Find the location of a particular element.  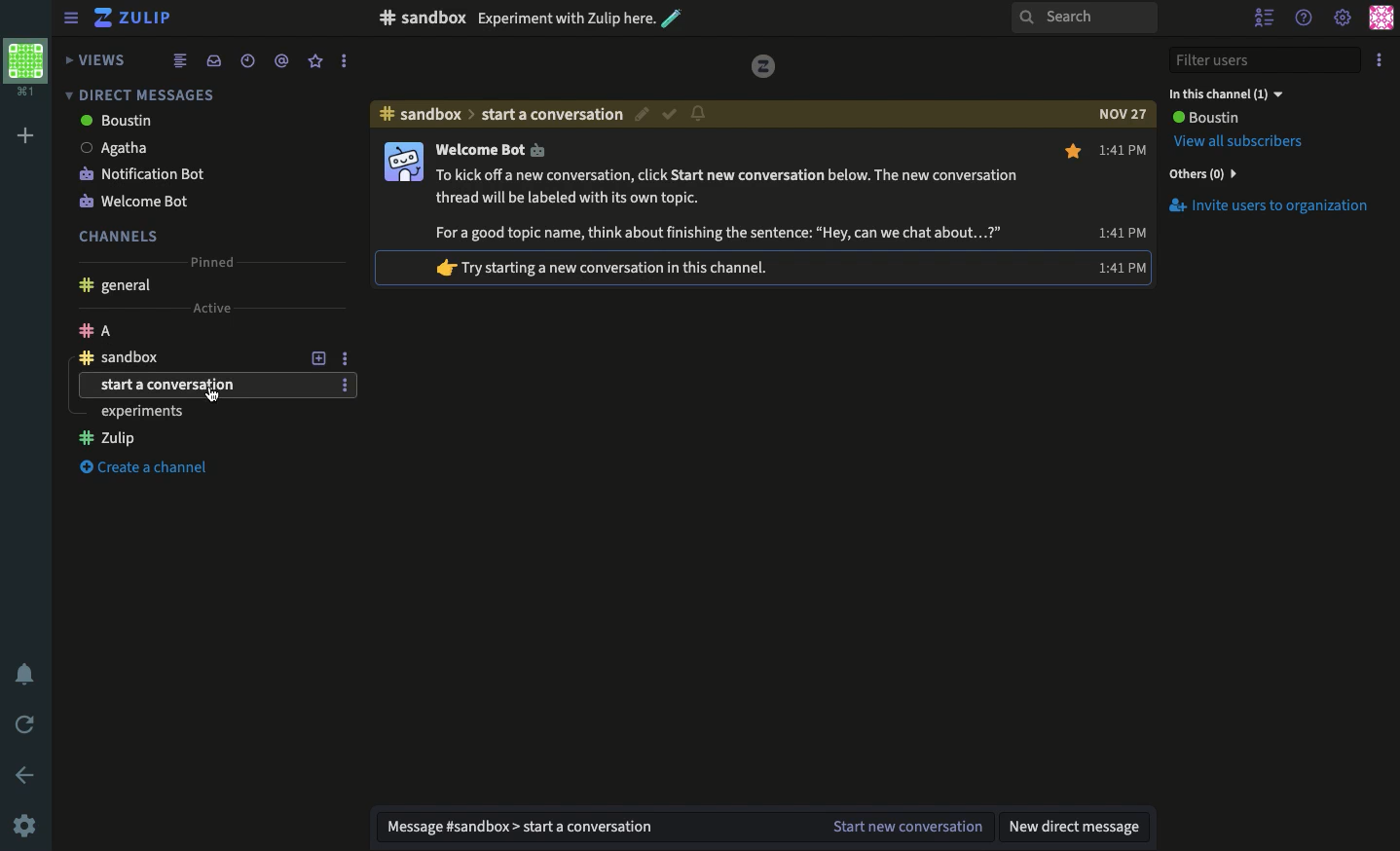

Active is located at coordinates (210, 306).